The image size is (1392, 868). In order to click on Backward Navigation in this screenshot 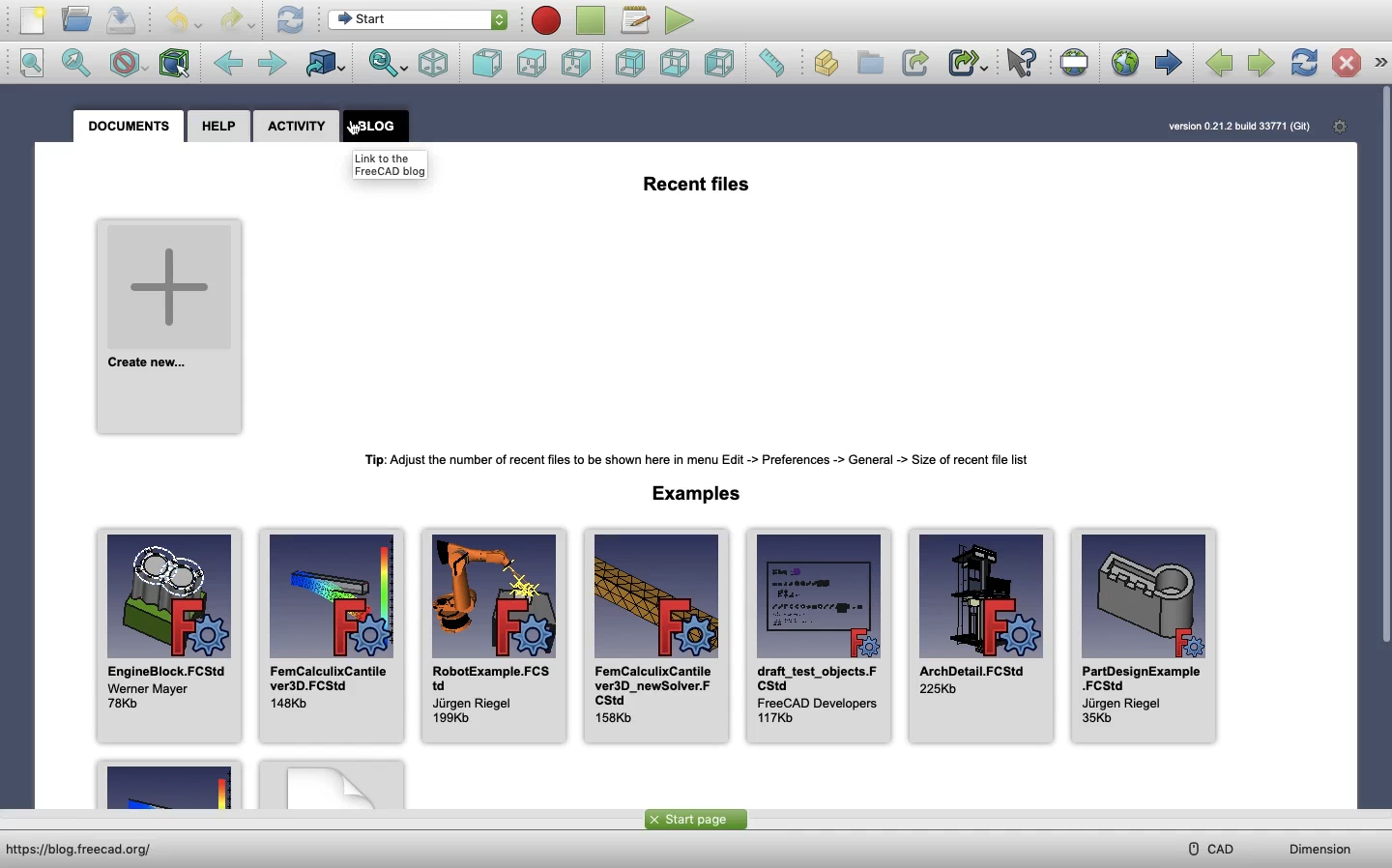, I will do `click(1220, 63)`.